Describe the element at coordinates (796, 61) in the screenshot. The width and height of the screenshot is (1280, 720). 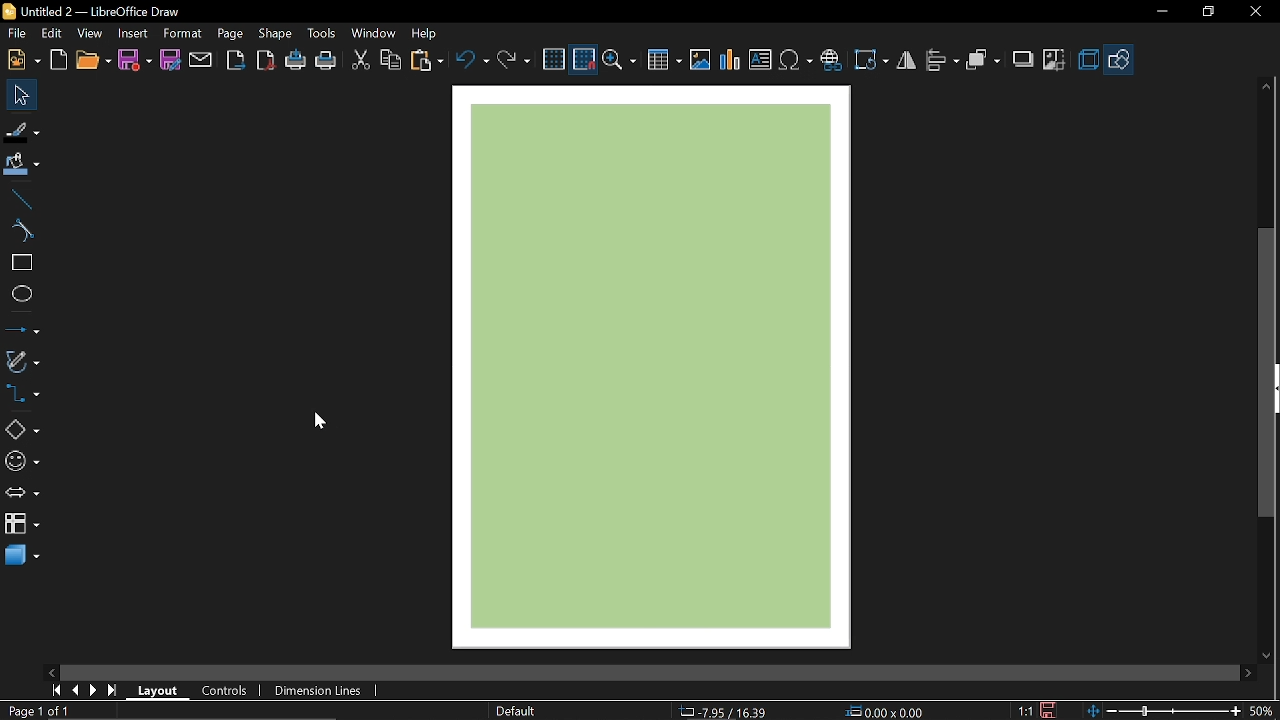
I see `Insert symbol` at that location.